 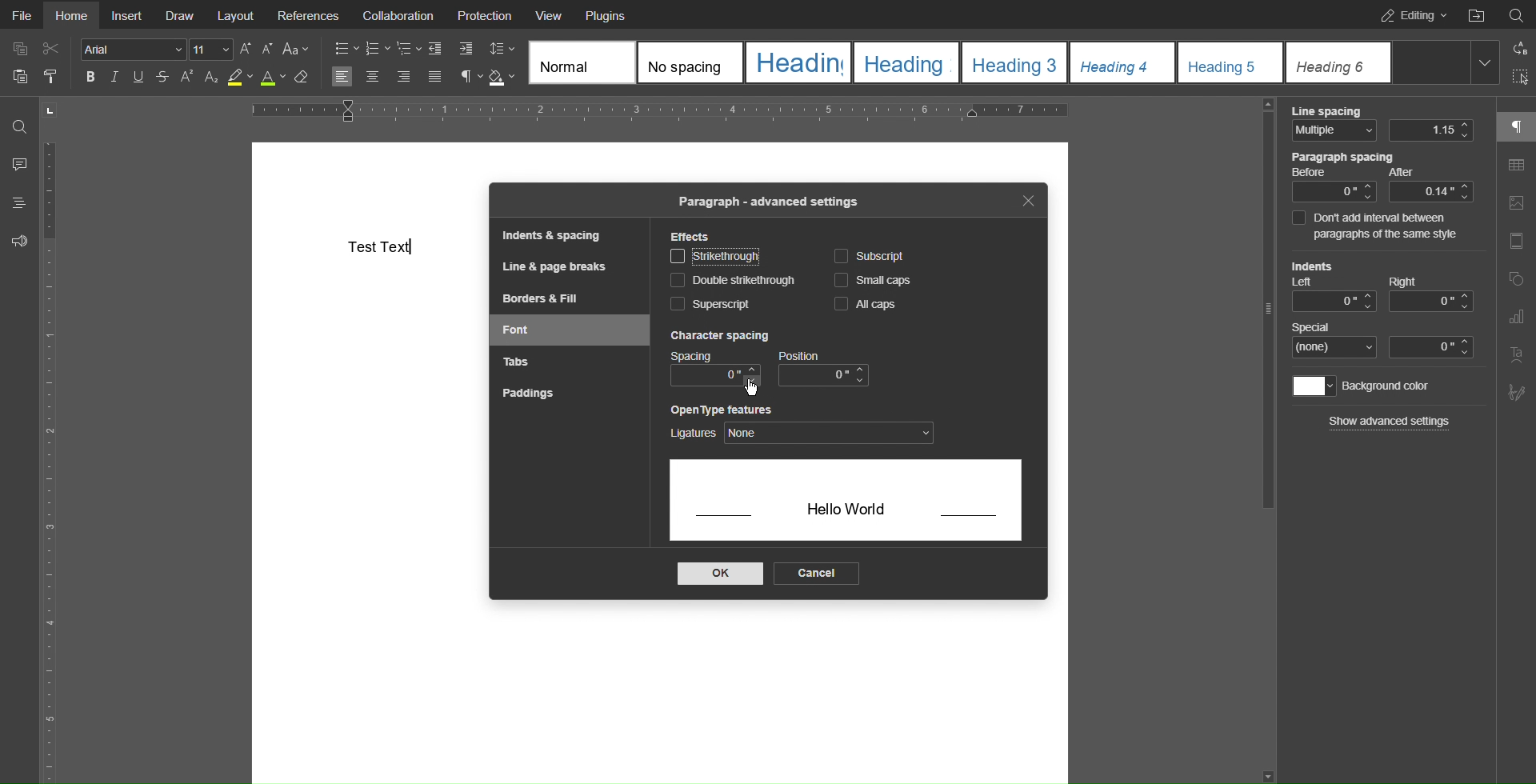 What do you see at coordinates (186, 78) in the screenshot?
I see `Superscript` at bounding box center [186, 78].